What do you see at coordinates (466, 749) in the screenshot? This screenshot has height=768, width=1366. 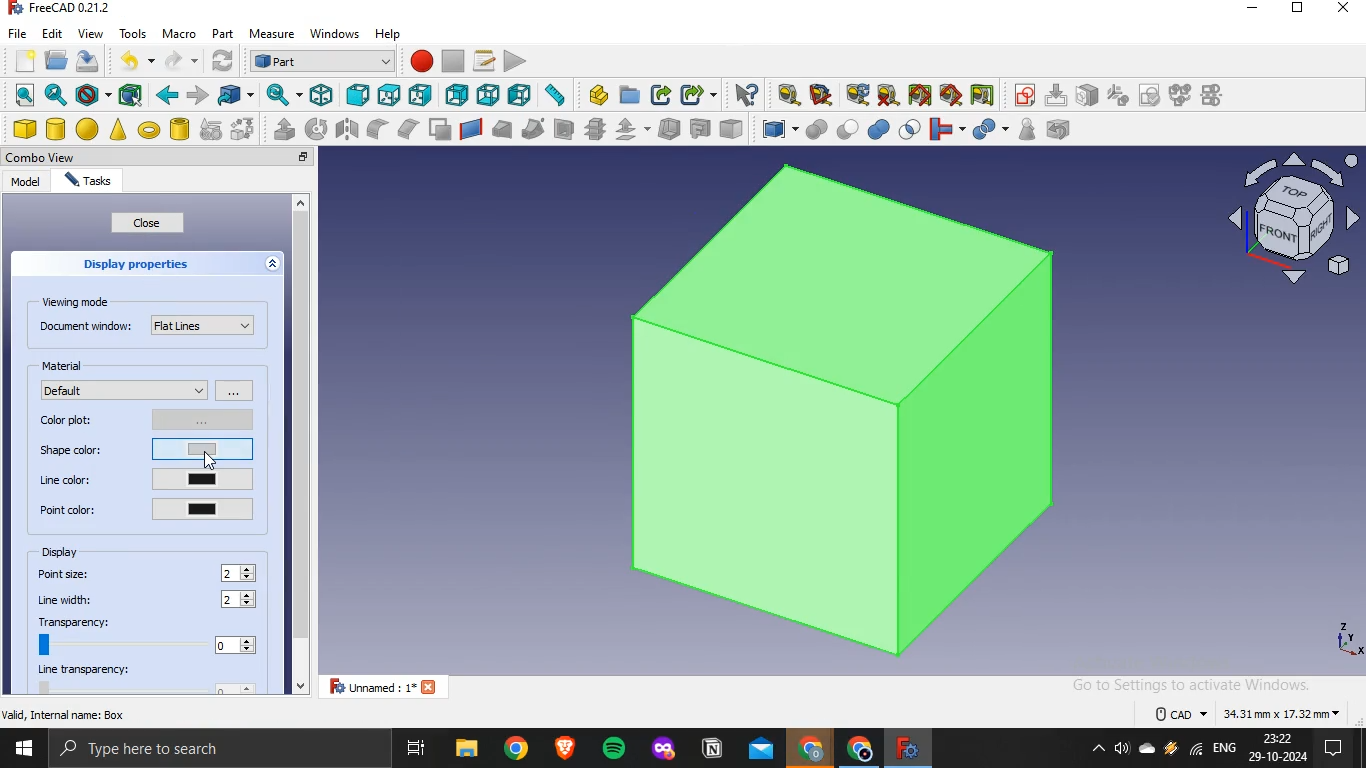 I see `file explorer` at bounding box center [466, 749].